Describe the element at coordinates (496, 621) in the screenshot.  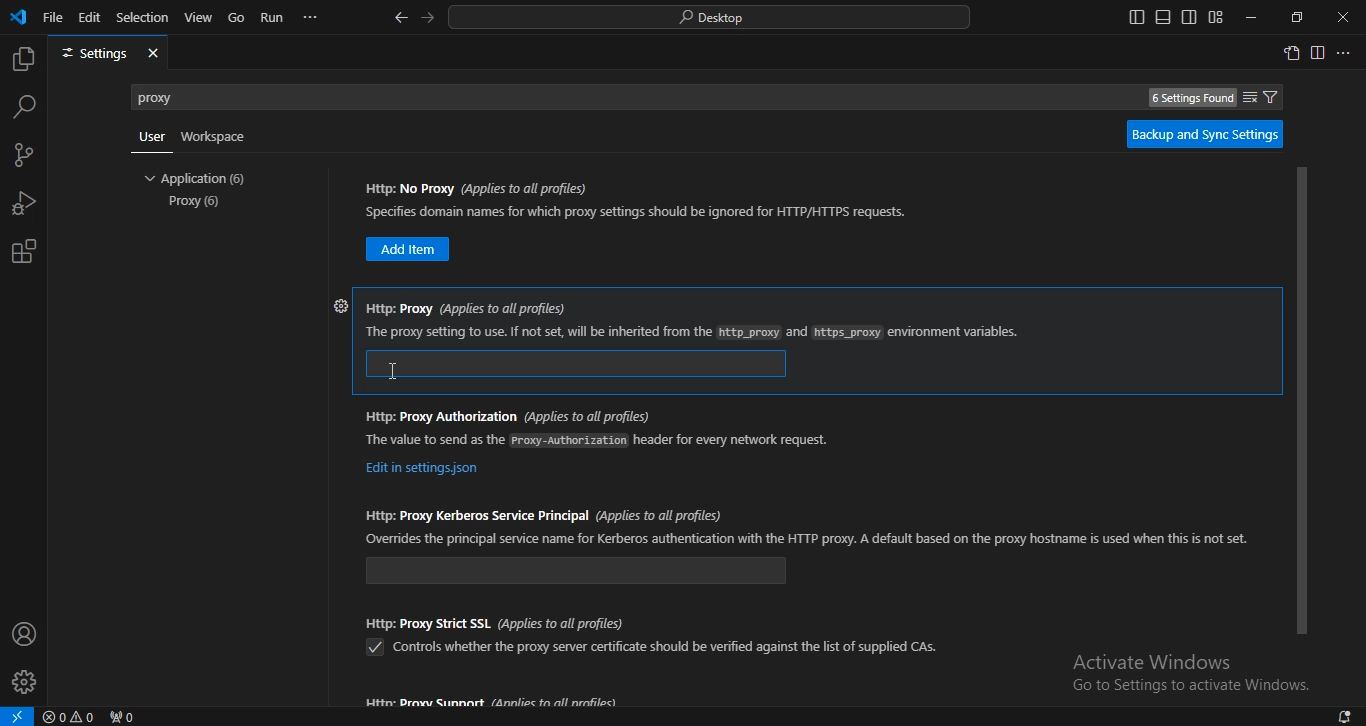
I see `https: proxy strict SSL` at that location.